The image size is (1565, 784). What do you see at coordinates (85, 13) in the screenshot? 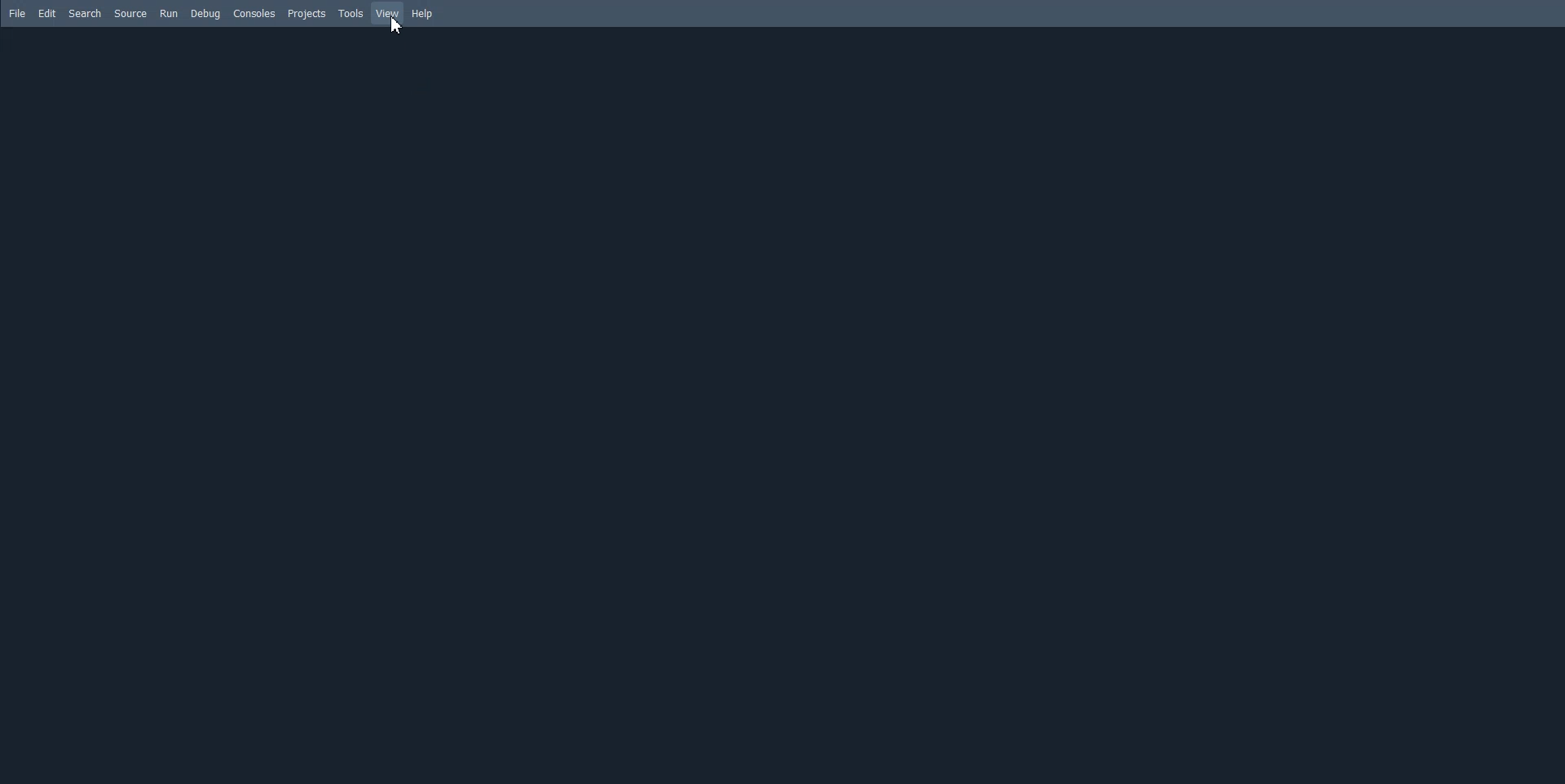
I see `Search` at bounding box center [85, 13].